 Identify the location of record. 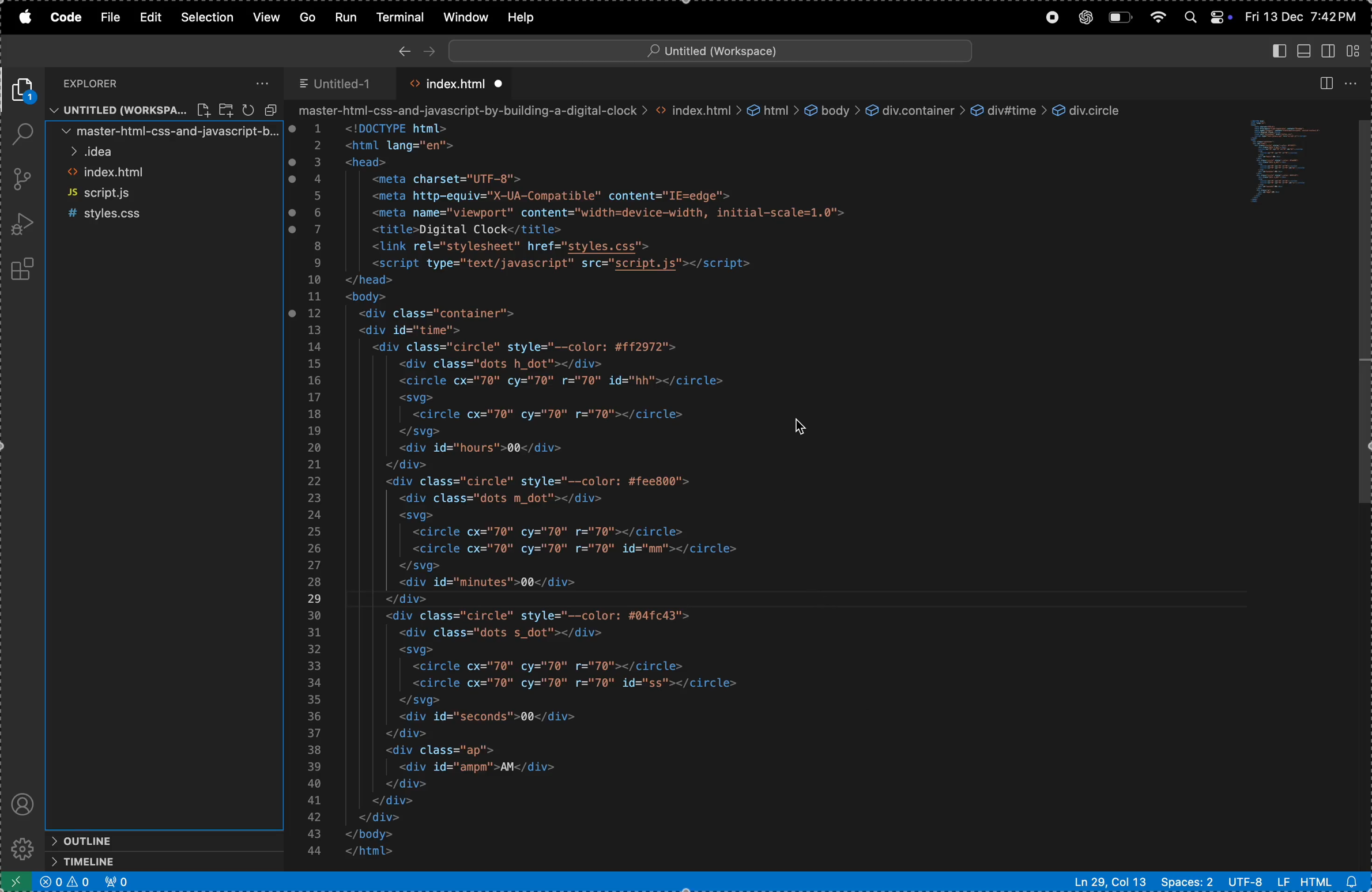
(1050, 18).